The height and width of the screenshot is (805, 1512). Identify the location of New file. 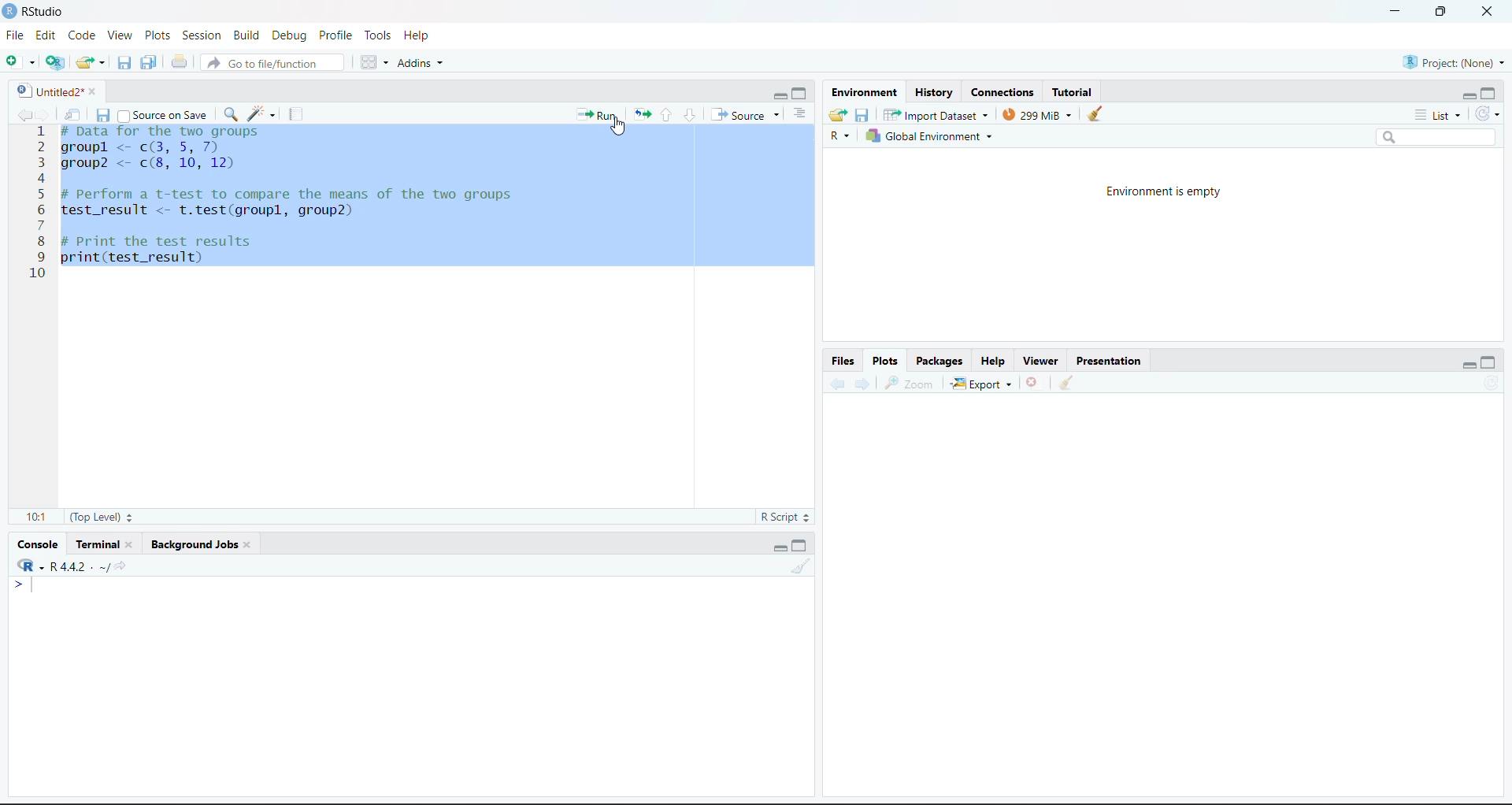
(20, 63).